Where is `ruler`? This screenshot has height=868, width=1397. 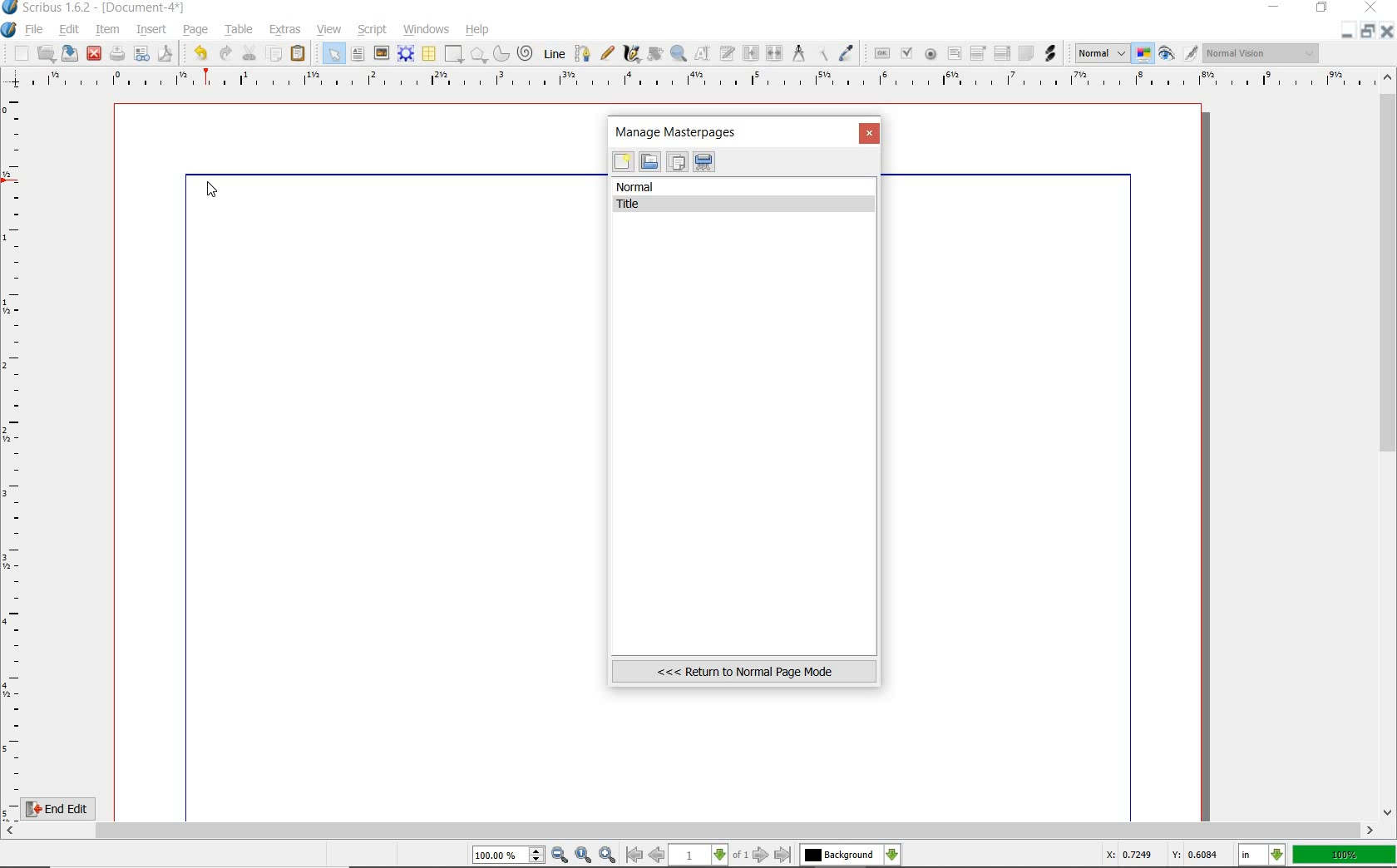
ruler is located at coordinates (699, 81).